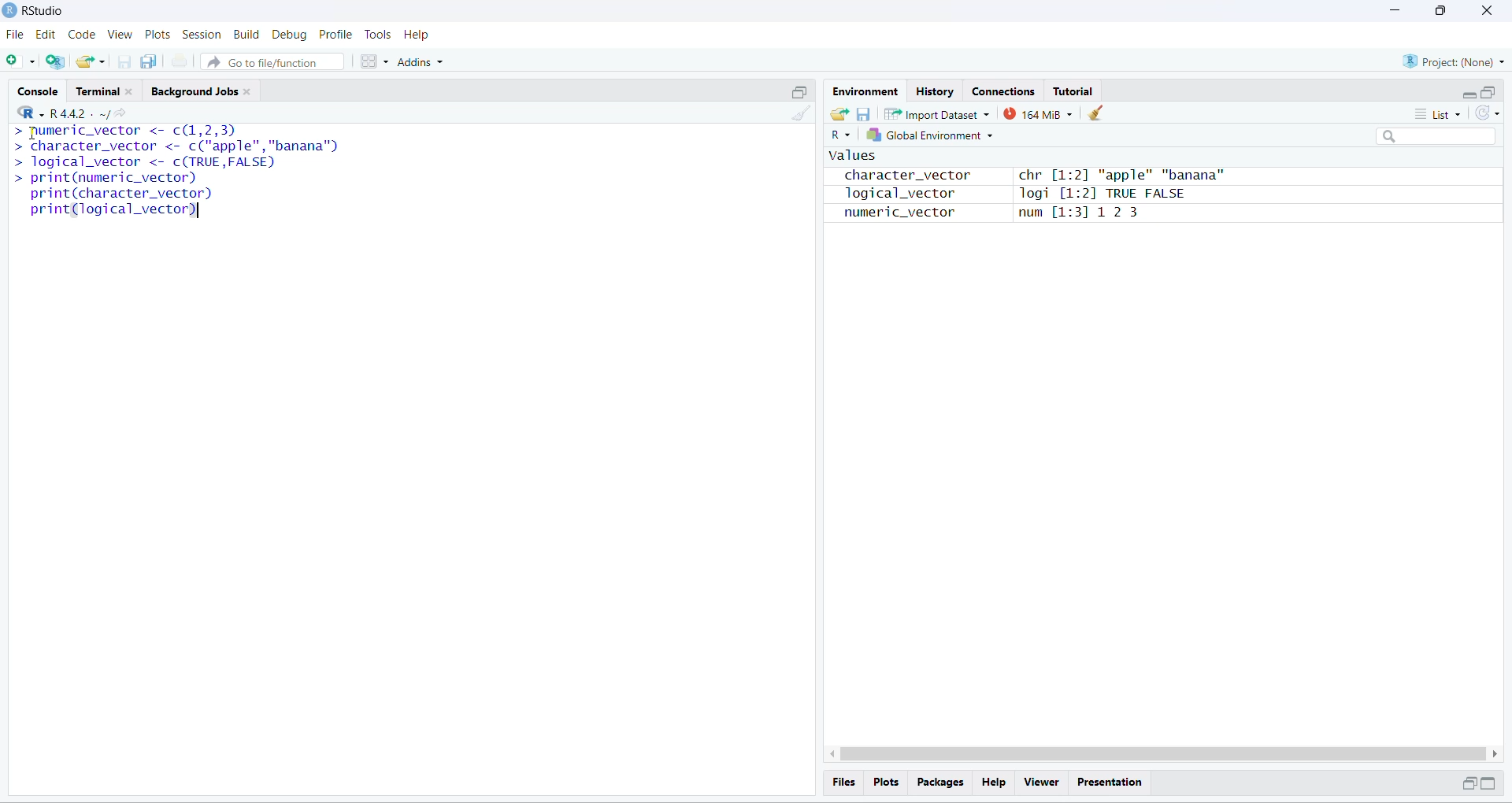 Image resolution: width=1512 pixels, height=803 pixels. What do you see at coordinates (91, 61) in the screenshot?
I see `open existing project` at bounding box center [91, 61].